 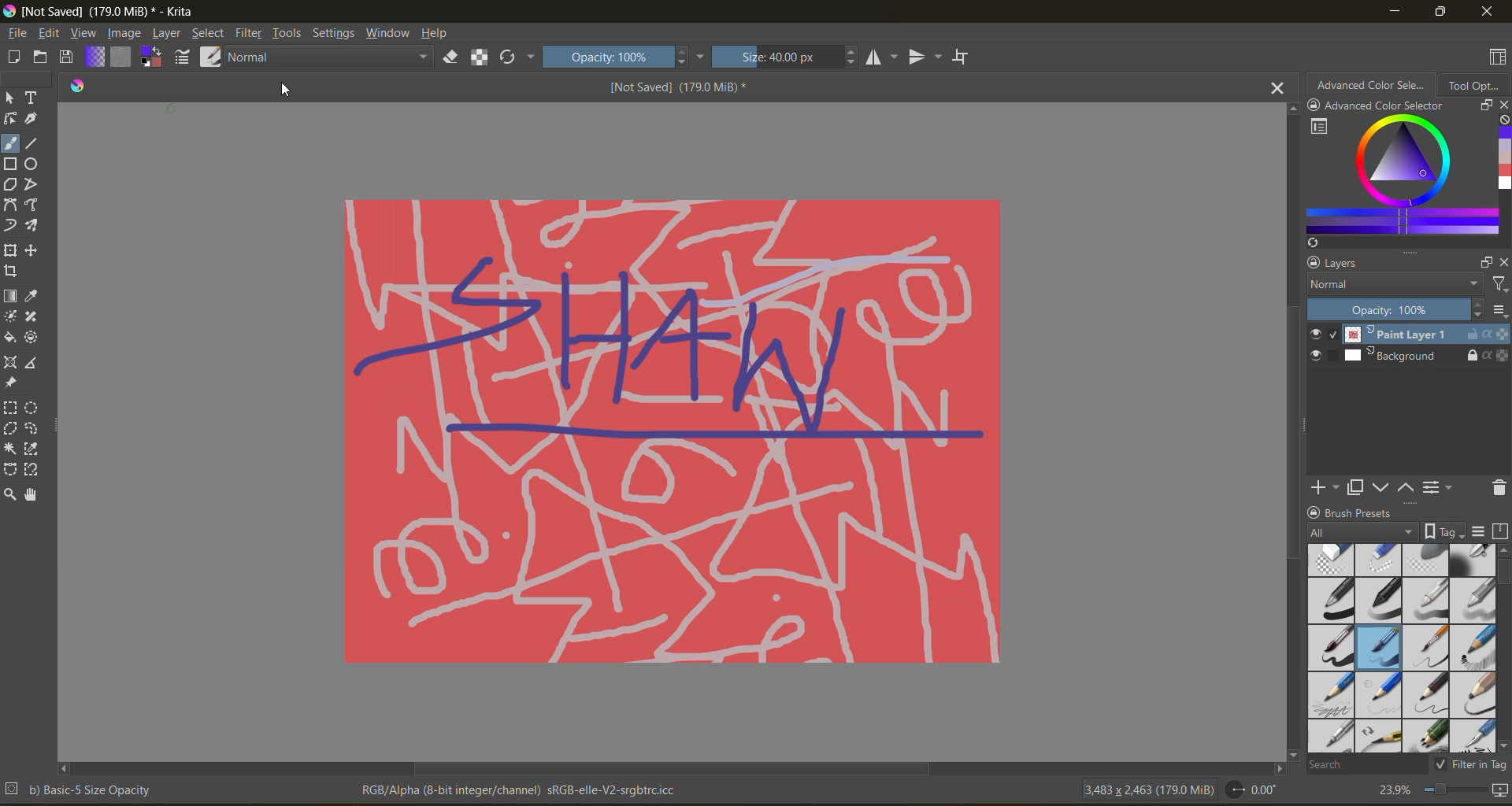 I want to click on bezier curve tool, so click(x=12, y=205).